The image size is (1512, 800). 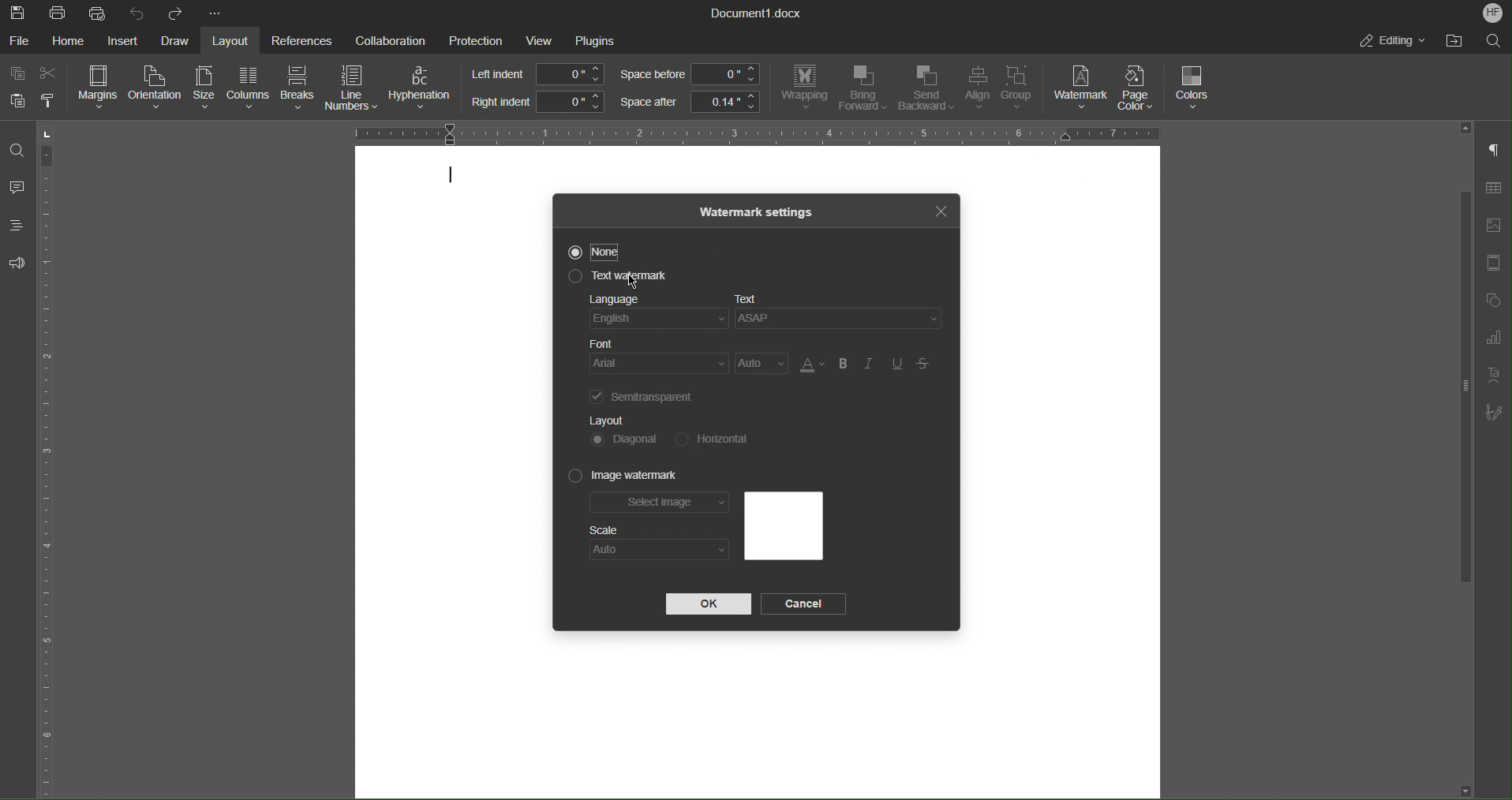 I want to click on Table, so click(x=1493, y=191).